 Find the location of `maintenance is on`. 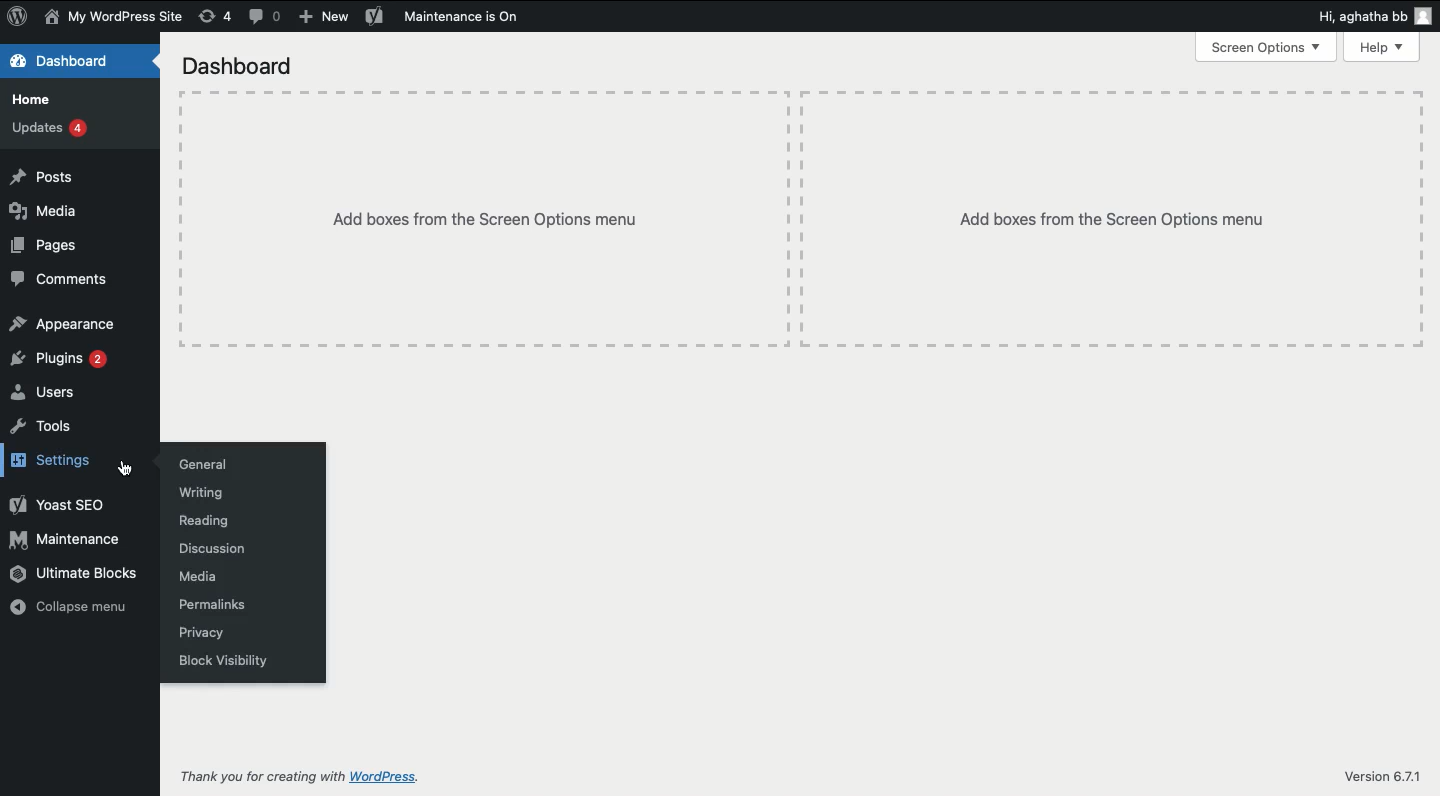

maintenance is on is located at coordinates (463, 17).